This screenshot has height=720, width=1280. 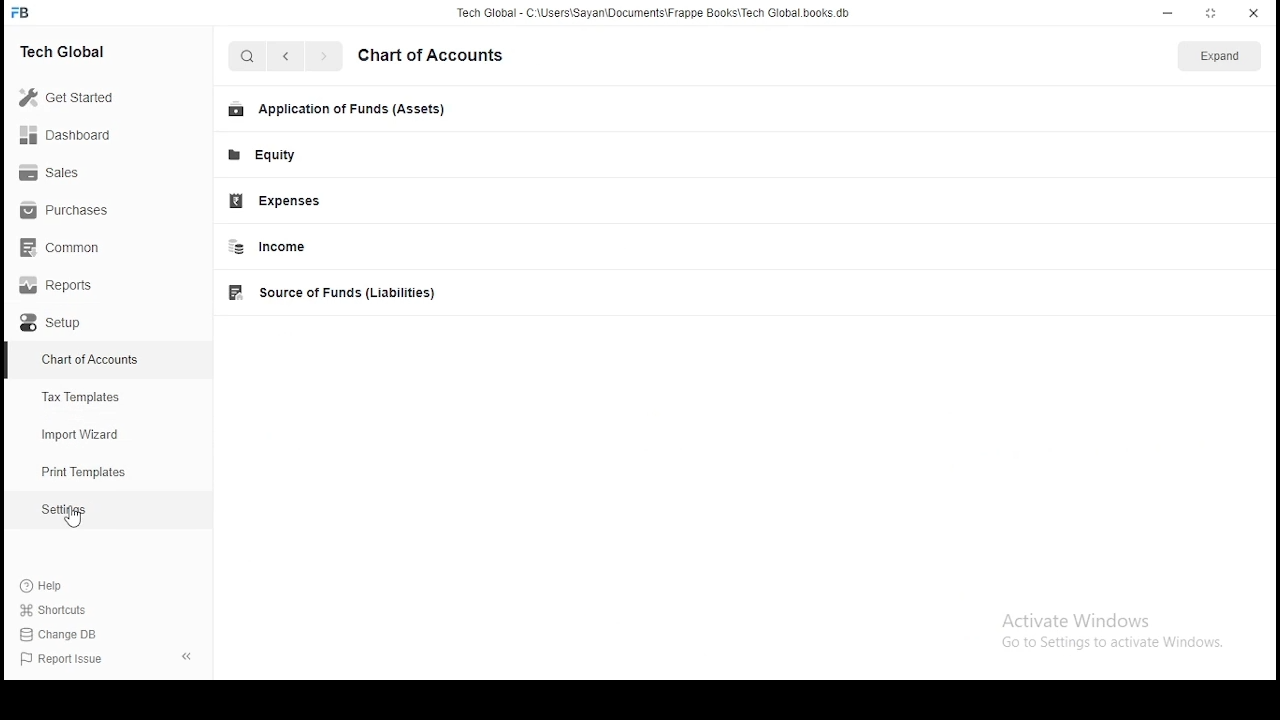 What do you see at coordinates (323, 58) in the screenshot?
I see `go forward ` at bounding box center [323, 58].